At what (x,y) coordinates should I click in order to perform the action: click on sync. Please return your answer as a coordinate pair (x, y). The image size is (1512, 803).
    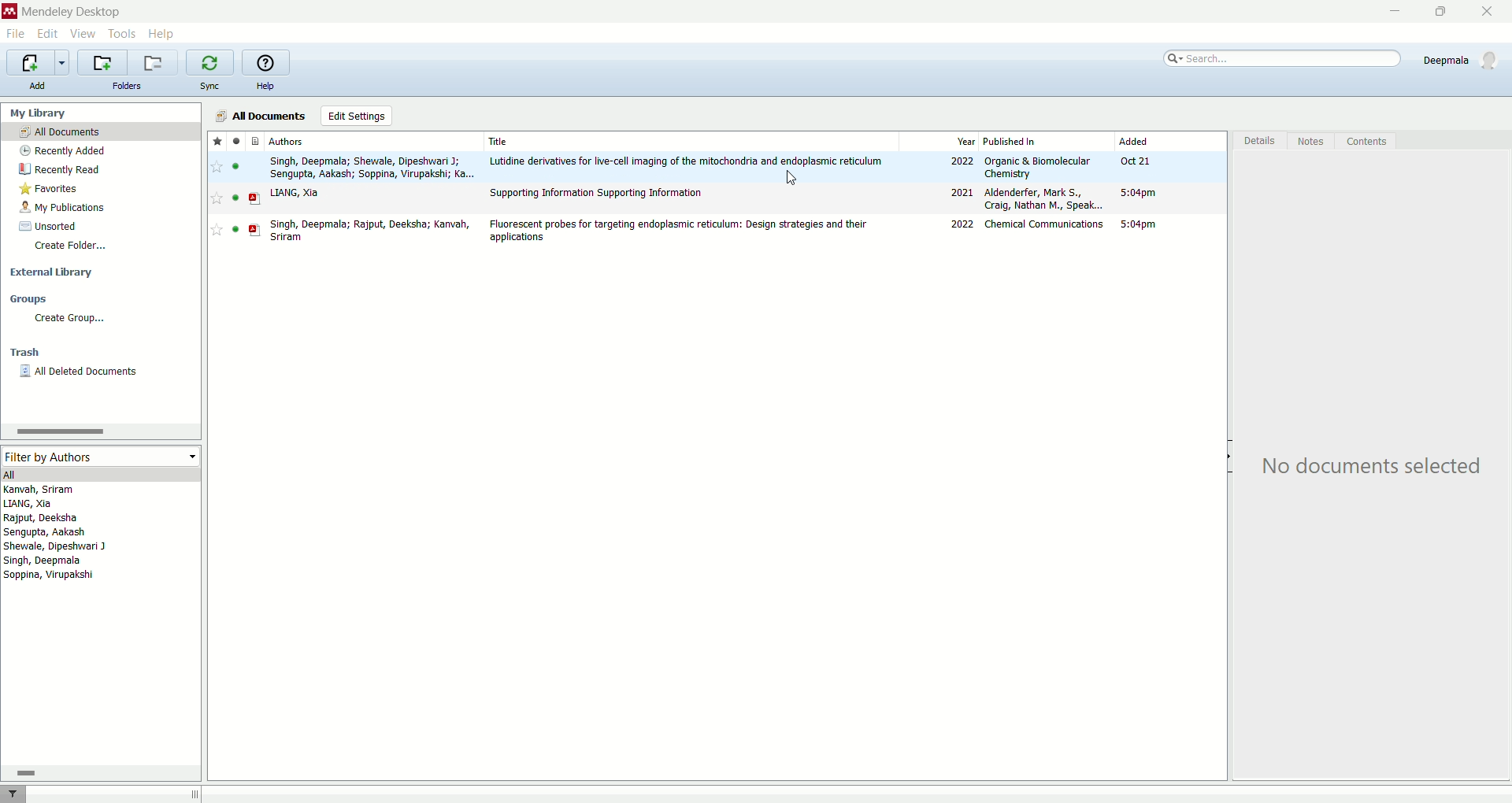
    Looking at the image, I should click on (209, 86).